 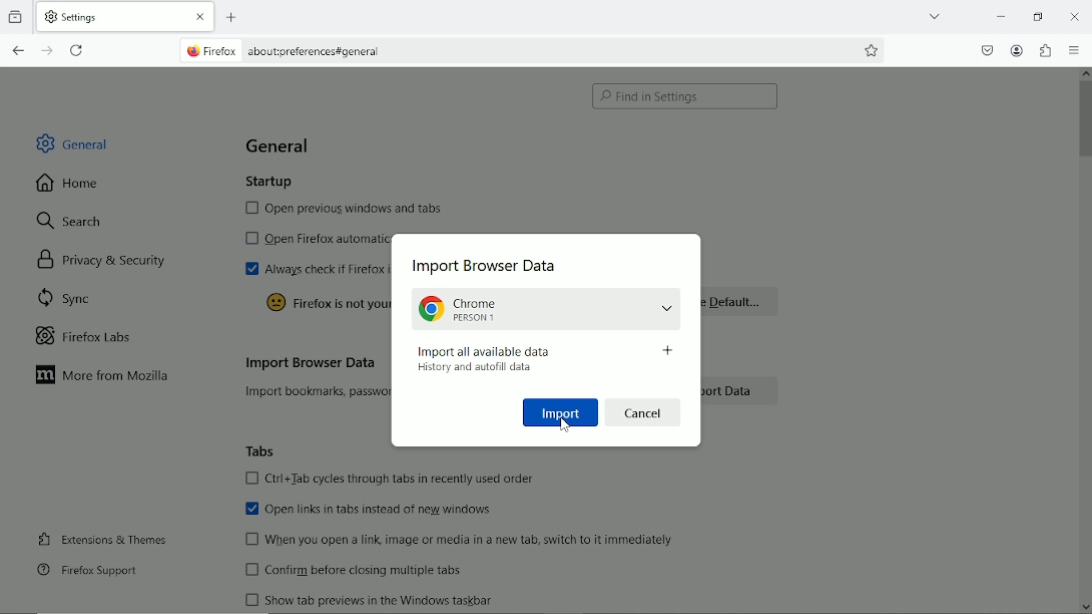 What do you see at coordinates (277, 141) in the screenshot?
I see `General` at bounding box center [277, 141].